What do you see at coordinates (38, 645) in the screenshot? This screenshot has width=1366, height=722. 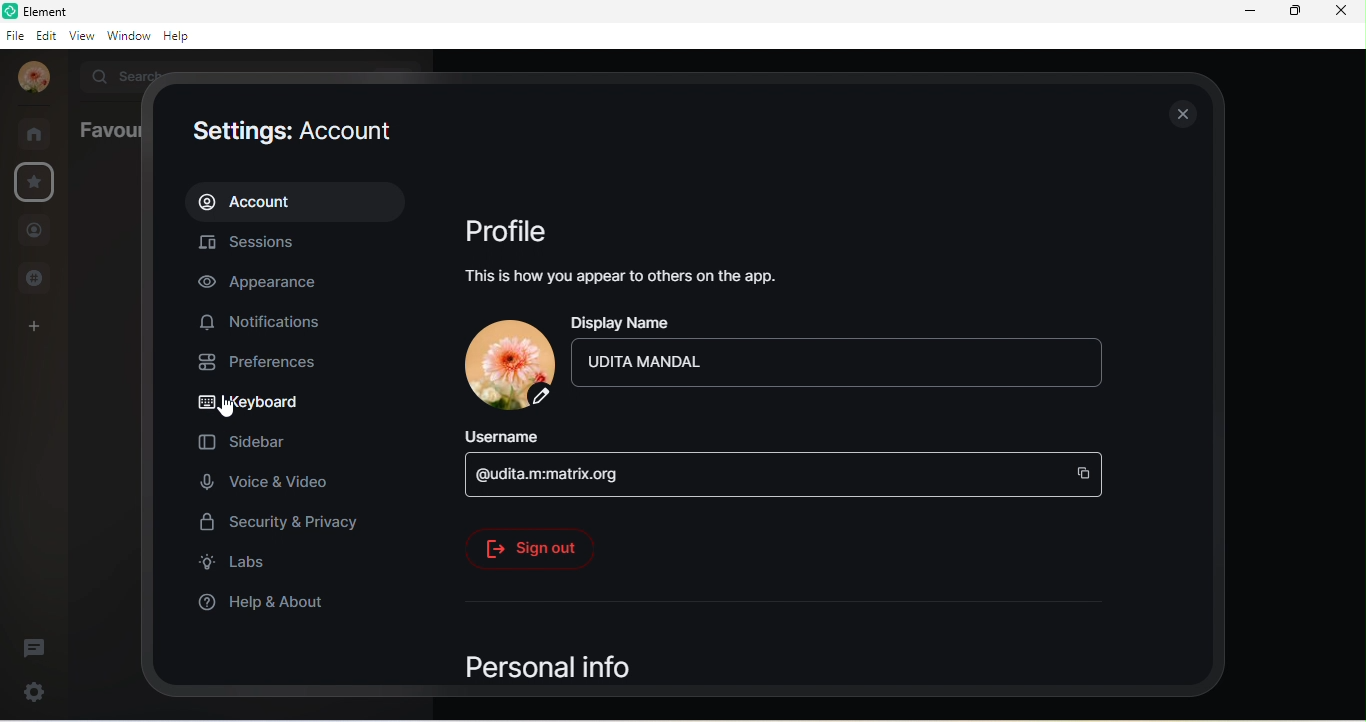 I see `threads` at bounding box center [38, 645].